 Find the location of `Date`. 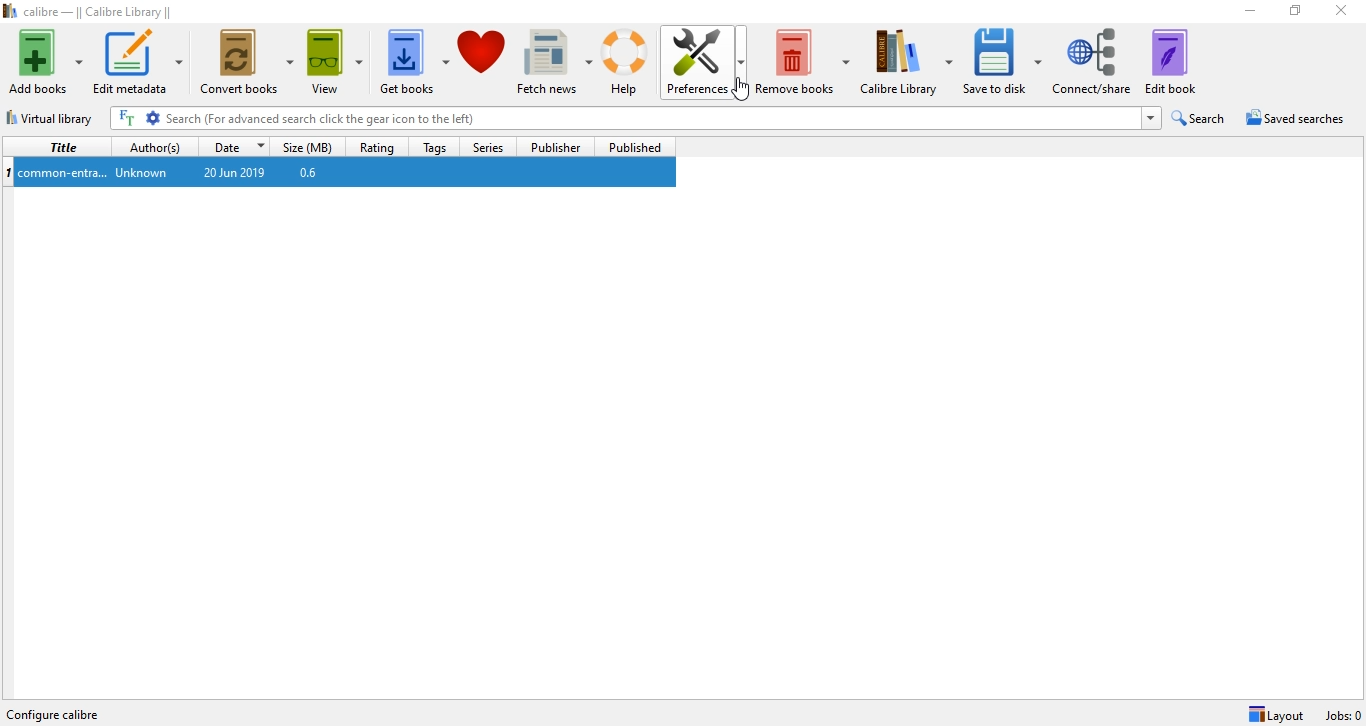

Date is located at coordinates (237, 145).